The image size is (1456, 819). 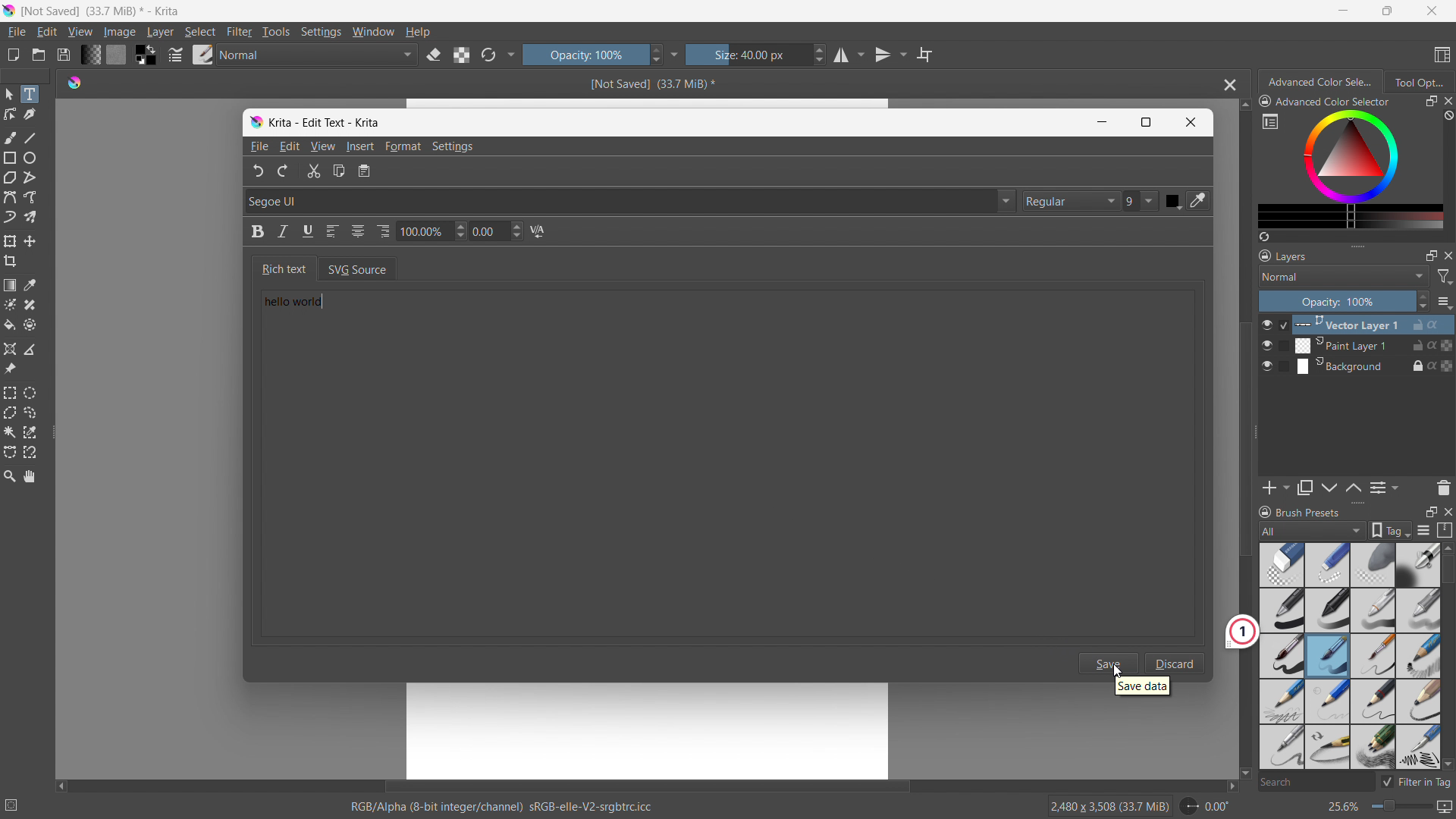 What do you see at coordinates (10, 218) in the screenshot?
I see `dynamic brush tool` at bounding box center [10, 218].